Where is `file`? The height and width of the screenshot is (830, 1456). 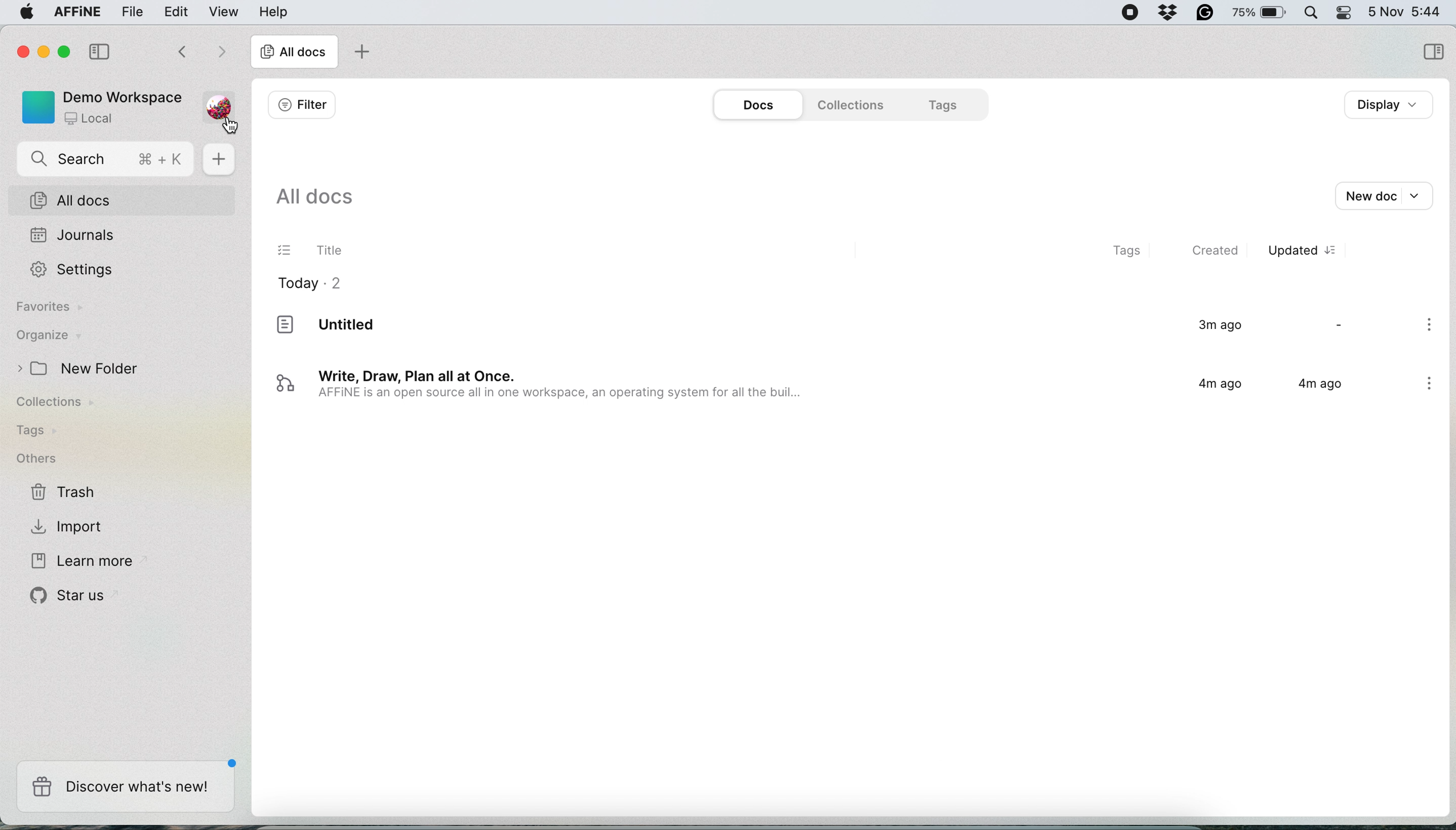 file is located at coordinates (133, 12).